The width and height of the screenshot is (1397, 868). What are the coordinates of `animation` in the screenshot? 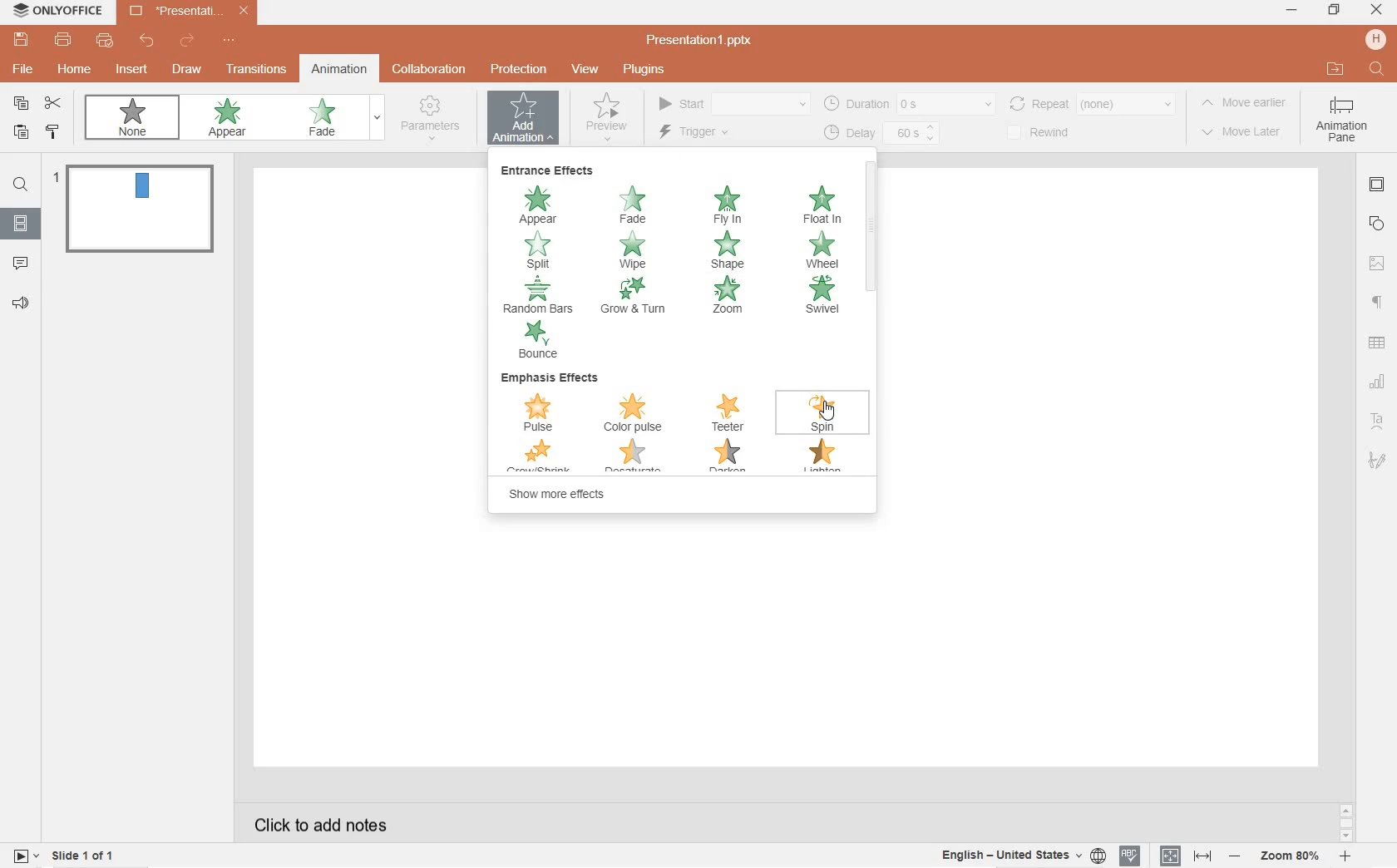 It's located at (340, 70).